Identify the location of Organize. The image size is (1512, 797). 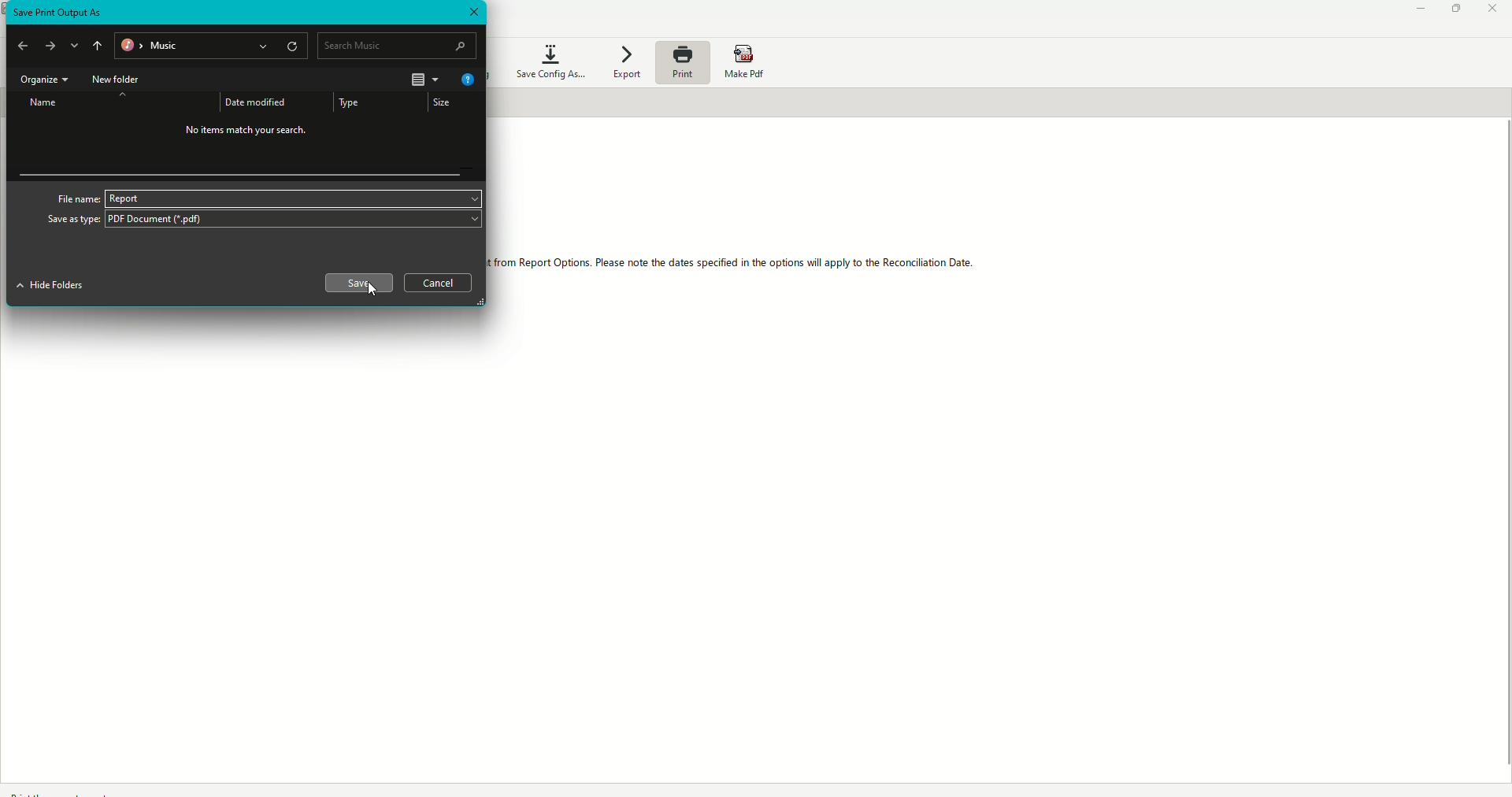
(42, 80).